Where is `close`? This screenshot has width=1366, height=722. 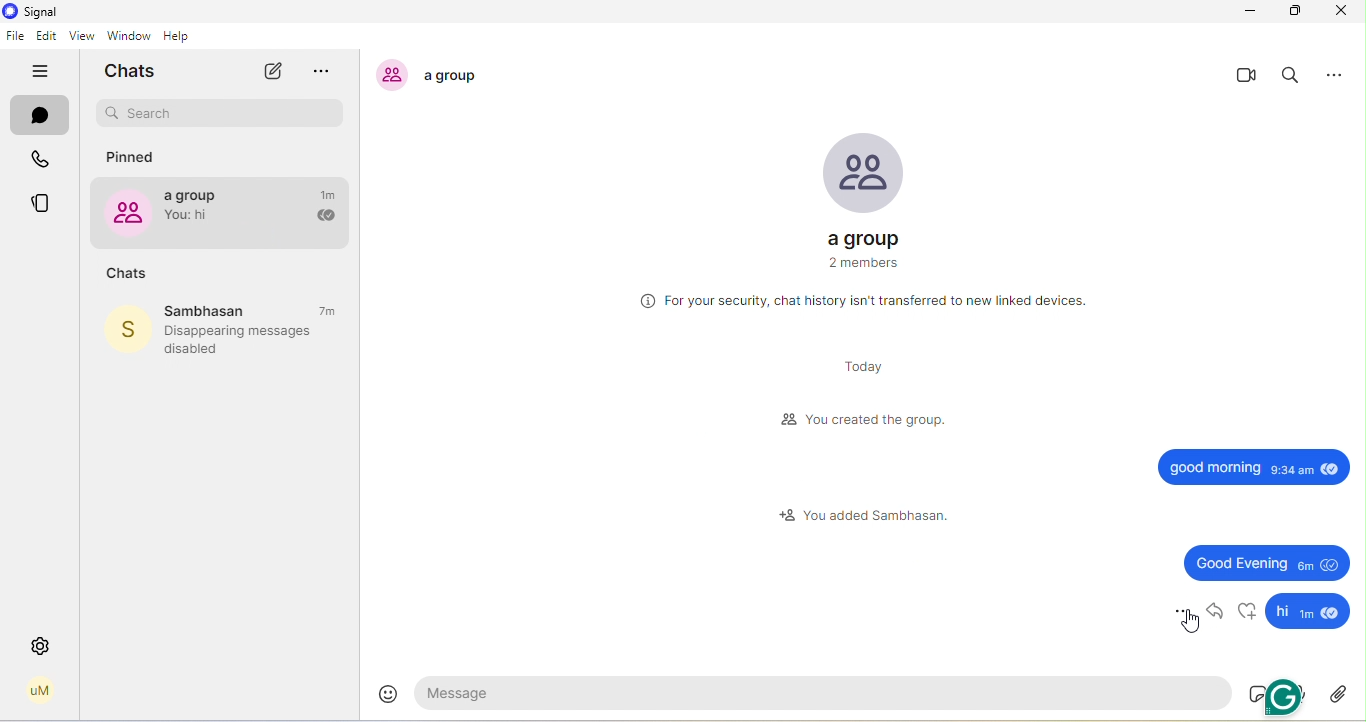 close is located at coordinates (1340, 10).